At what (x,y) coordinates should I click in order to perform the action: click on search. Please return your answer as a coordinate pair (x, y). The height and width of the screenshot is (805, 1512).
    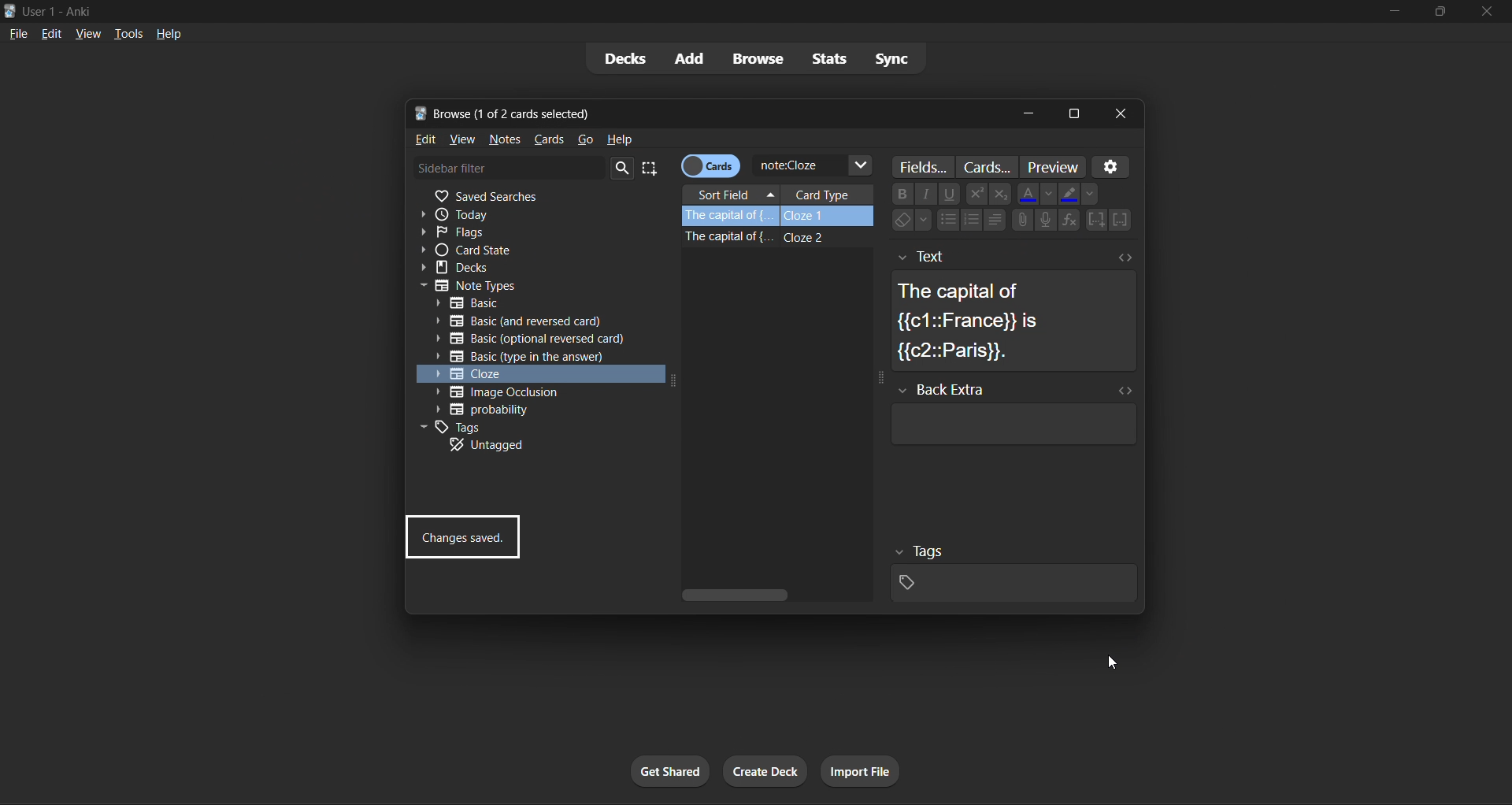
    Looking at the image, I should click on (624, 169).